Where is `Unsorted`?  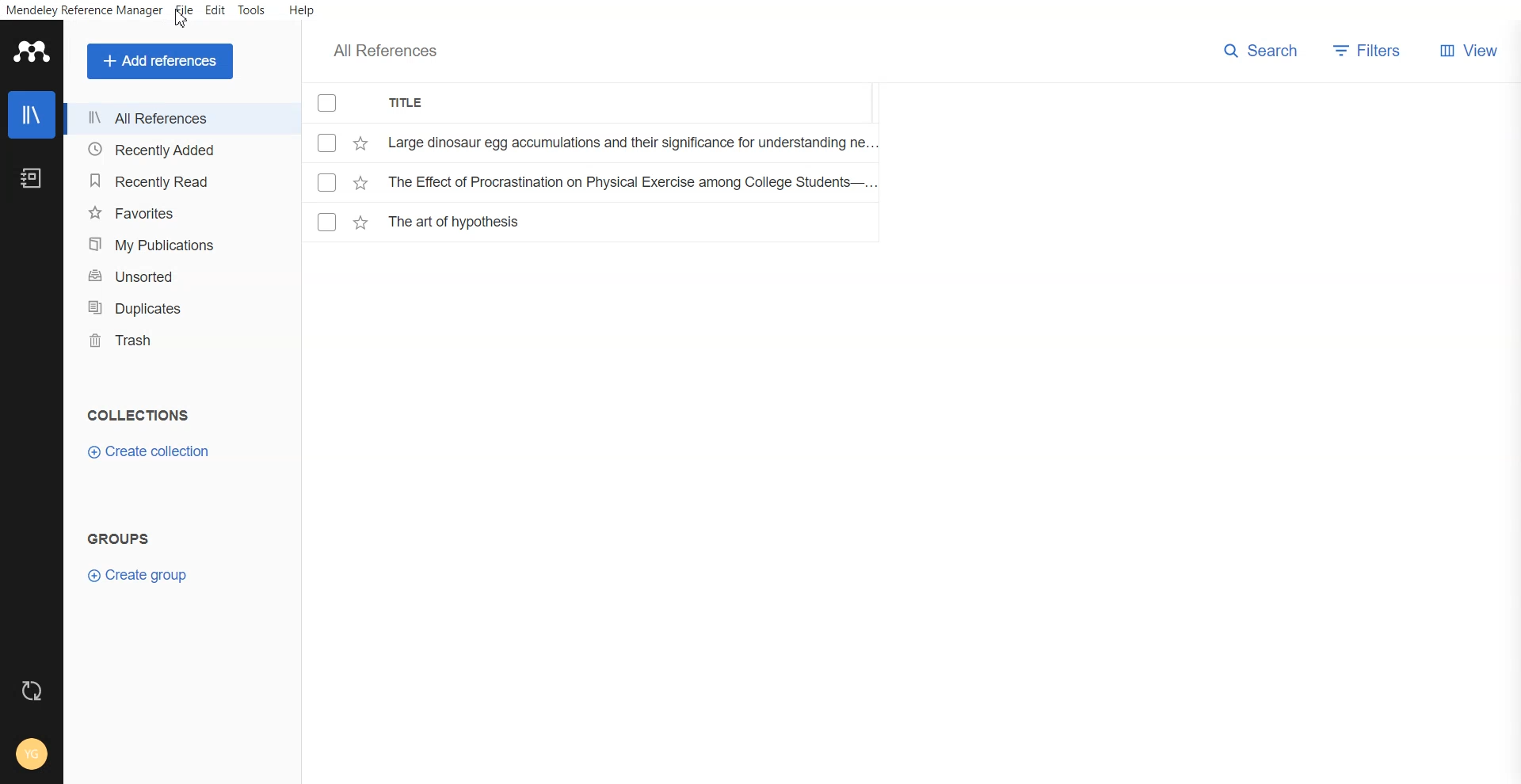 Unsorted is located at coordinates (170, 276).